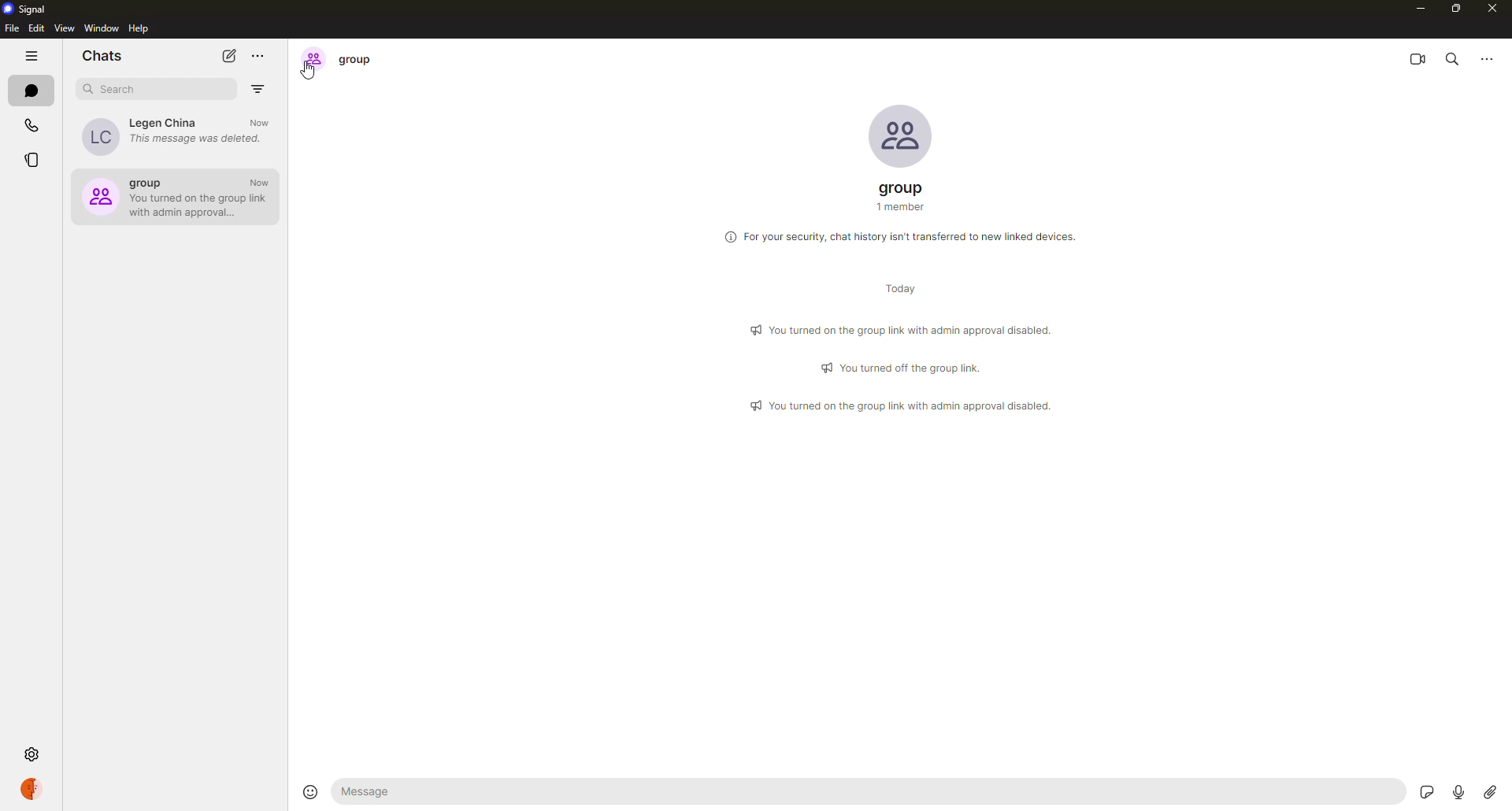 The image size is (1512, 811). What do you see at coordinates (309, 73) in the screenshot?
I see `cursor` at bounding box center [309, 73].